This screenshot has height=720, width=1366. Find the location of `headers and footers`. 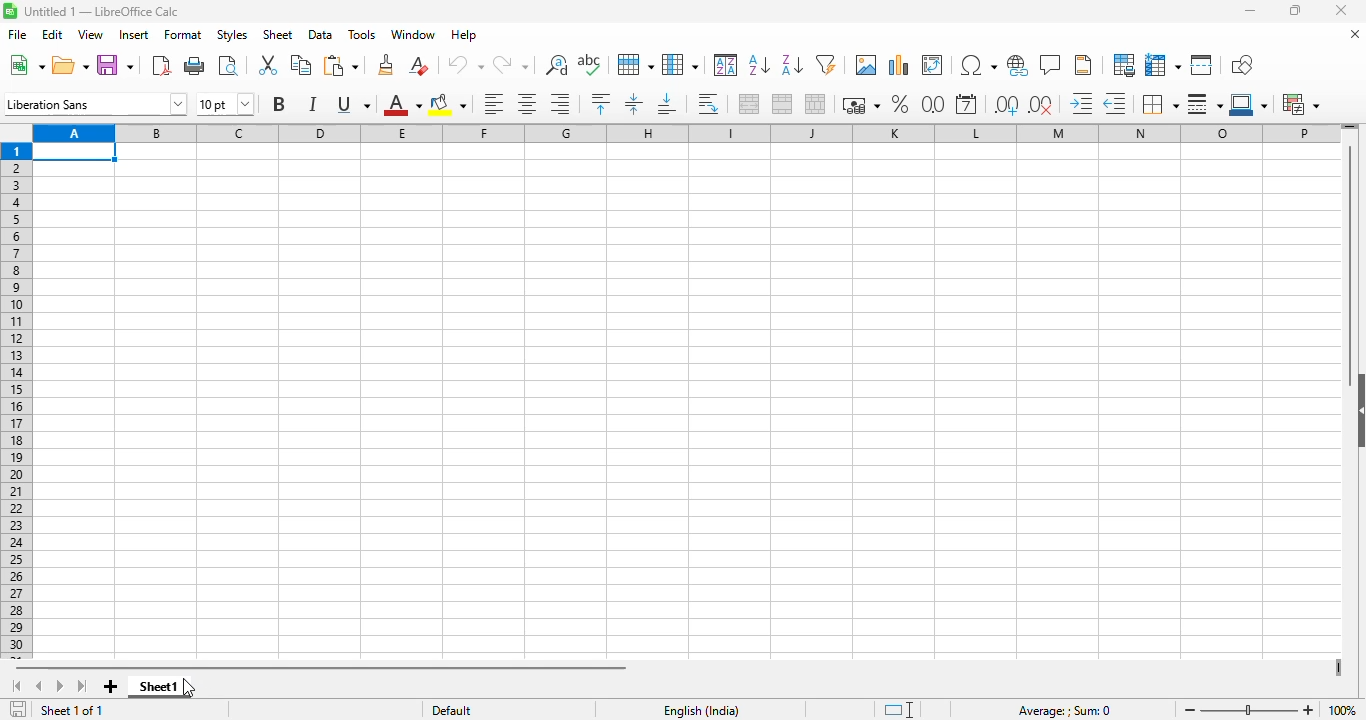

headers and footers is located at coordinates (1085, 65).